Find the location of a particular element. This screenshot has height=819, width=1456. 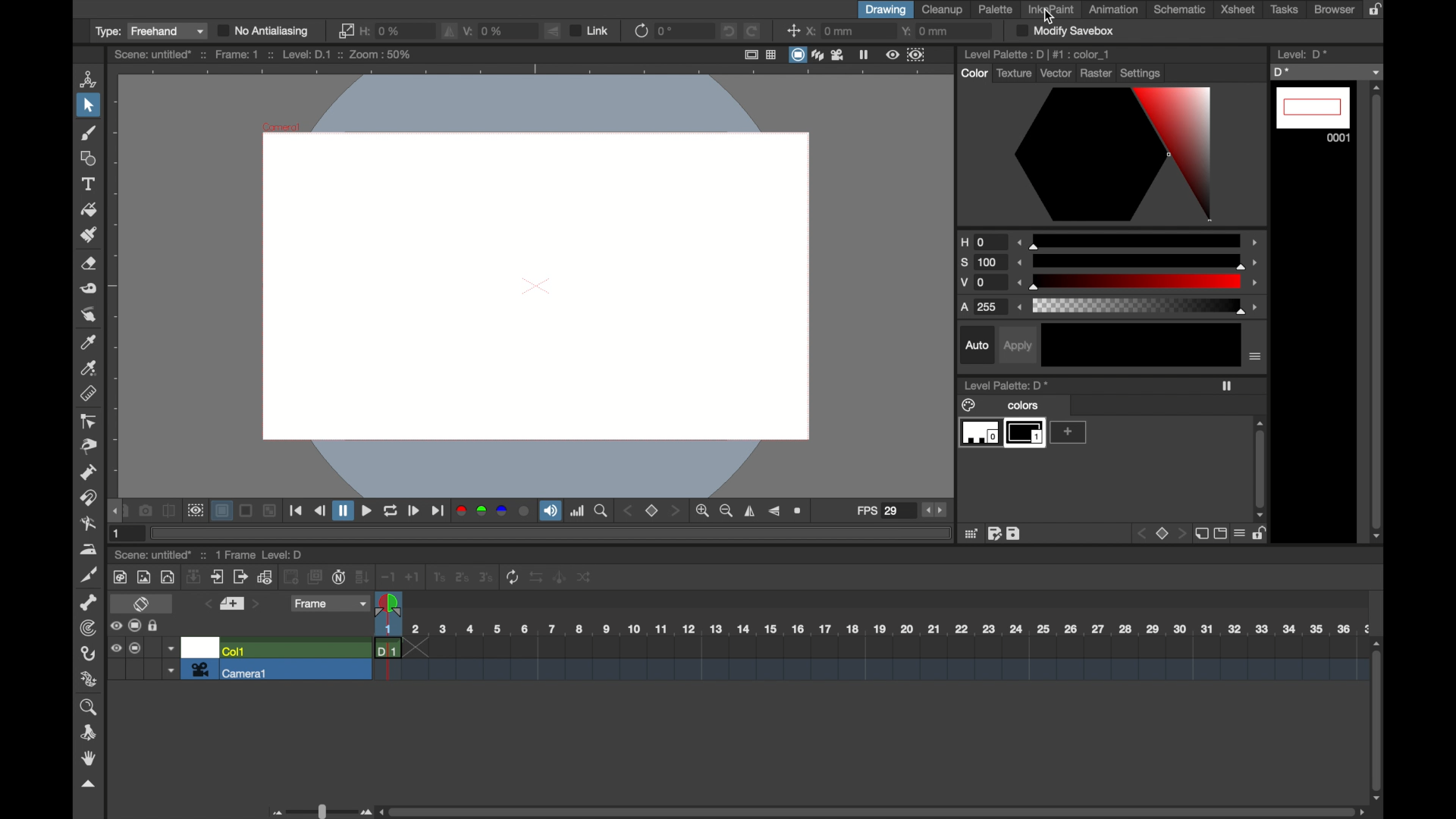

animate is located at coordinates (560, 577).